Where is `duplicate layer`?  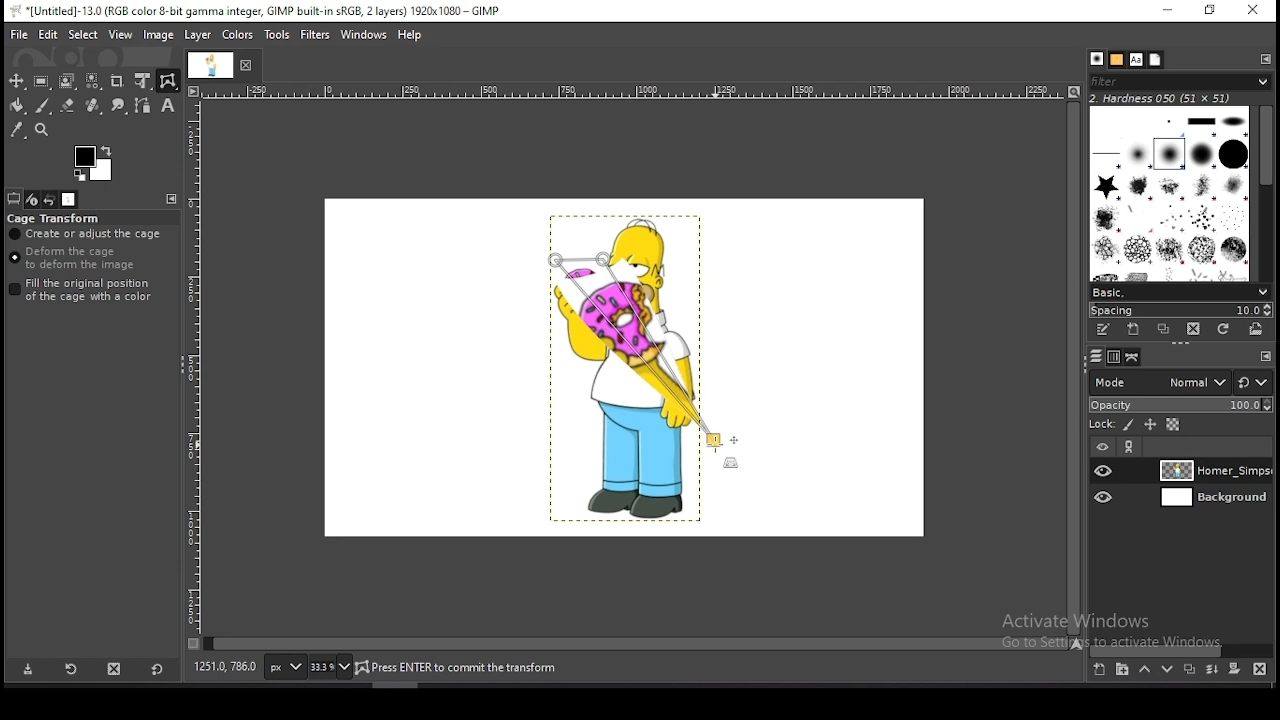 duplicate layer is located at coordinates (1189, 672).